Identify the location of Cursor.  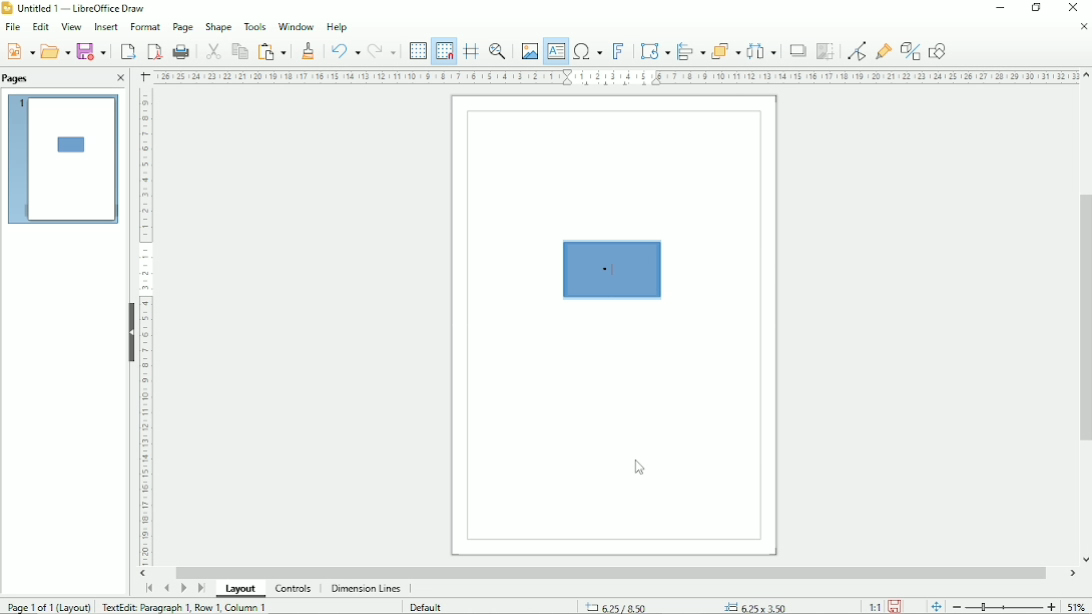
(640, 468).